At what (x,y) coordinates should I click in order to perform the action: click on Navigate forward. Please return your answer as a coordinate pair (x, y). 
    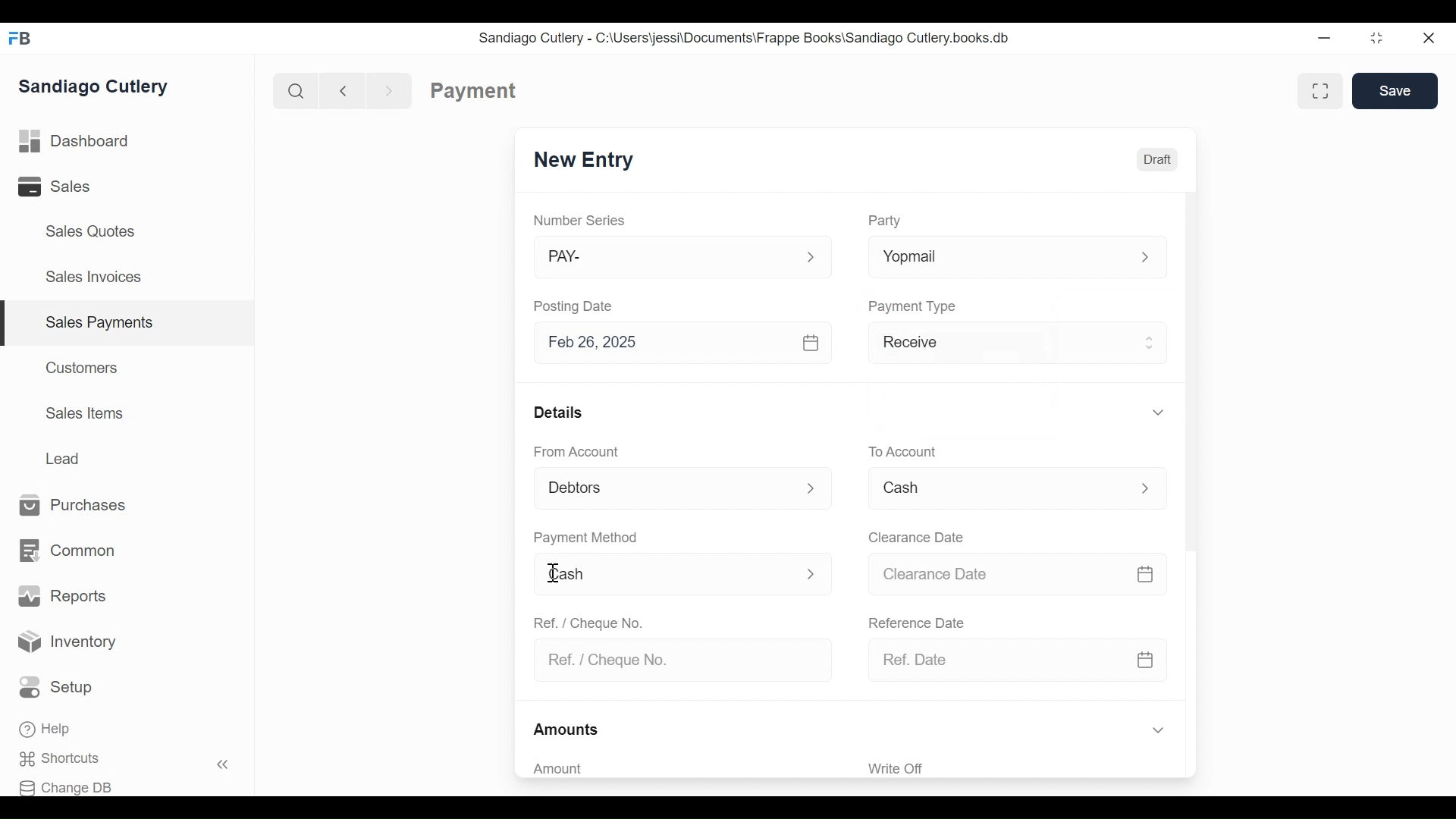
    Looking at the image, I should click on (390, 89).